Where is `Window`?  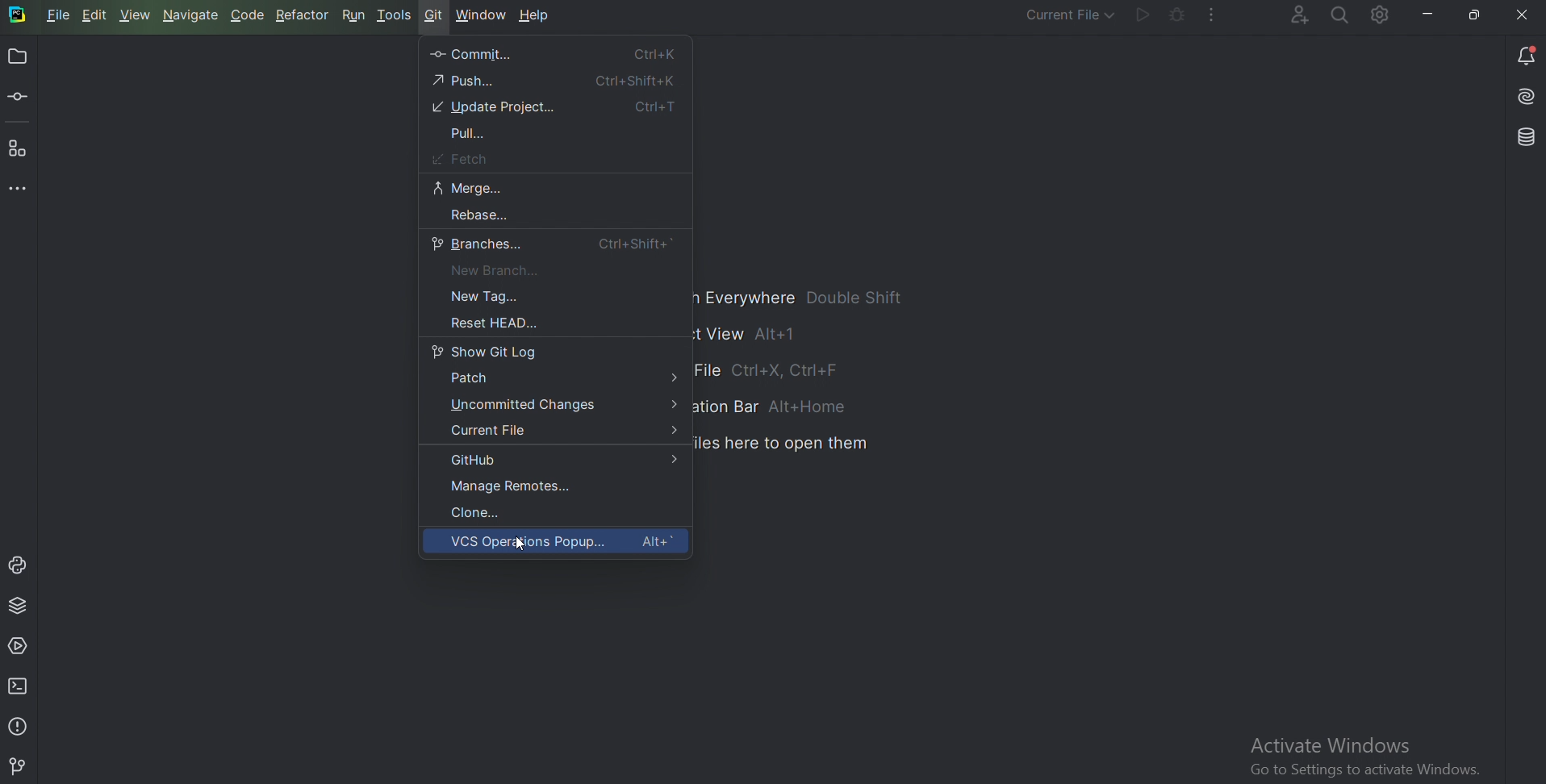 Window is located at coordinates (483, 15).